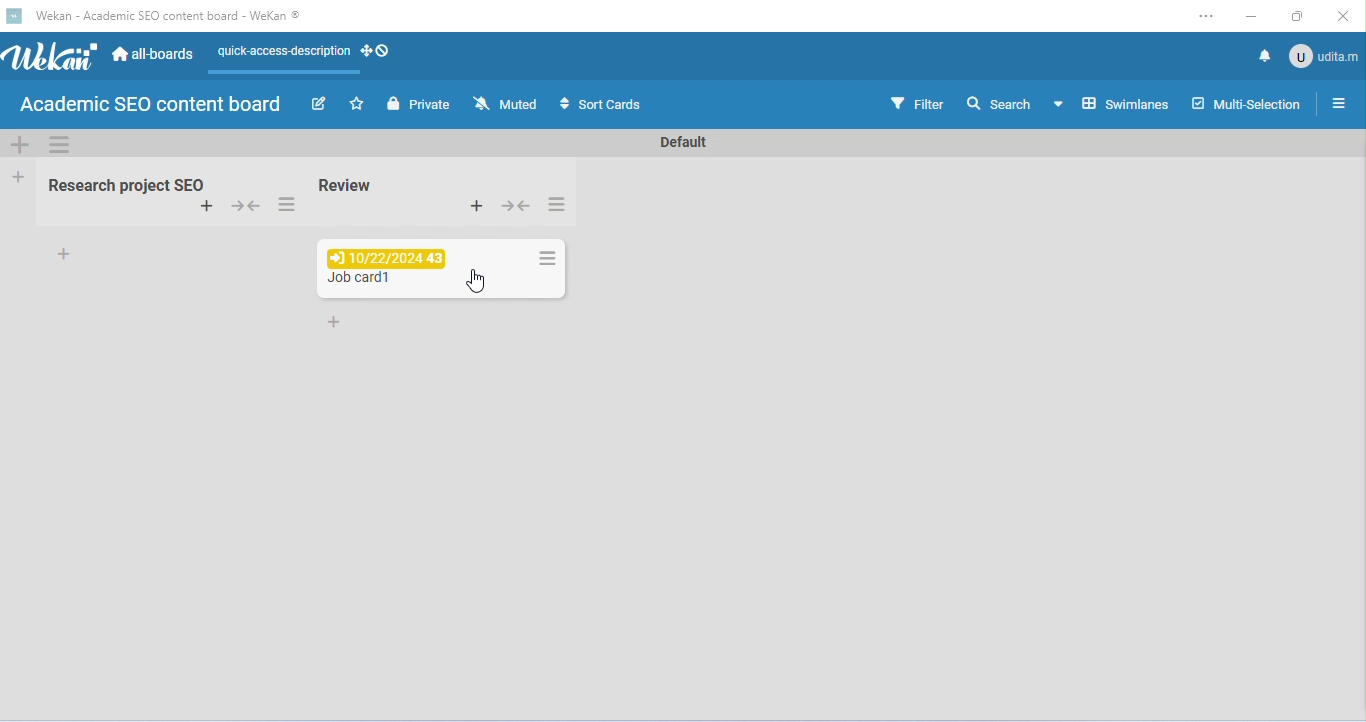 Image resolution: width=1366 pixels, height=722 pixels. What do you see at coordinates (361, 281) in the screenshot?
I see `card name` at bounding box center [361, 281].